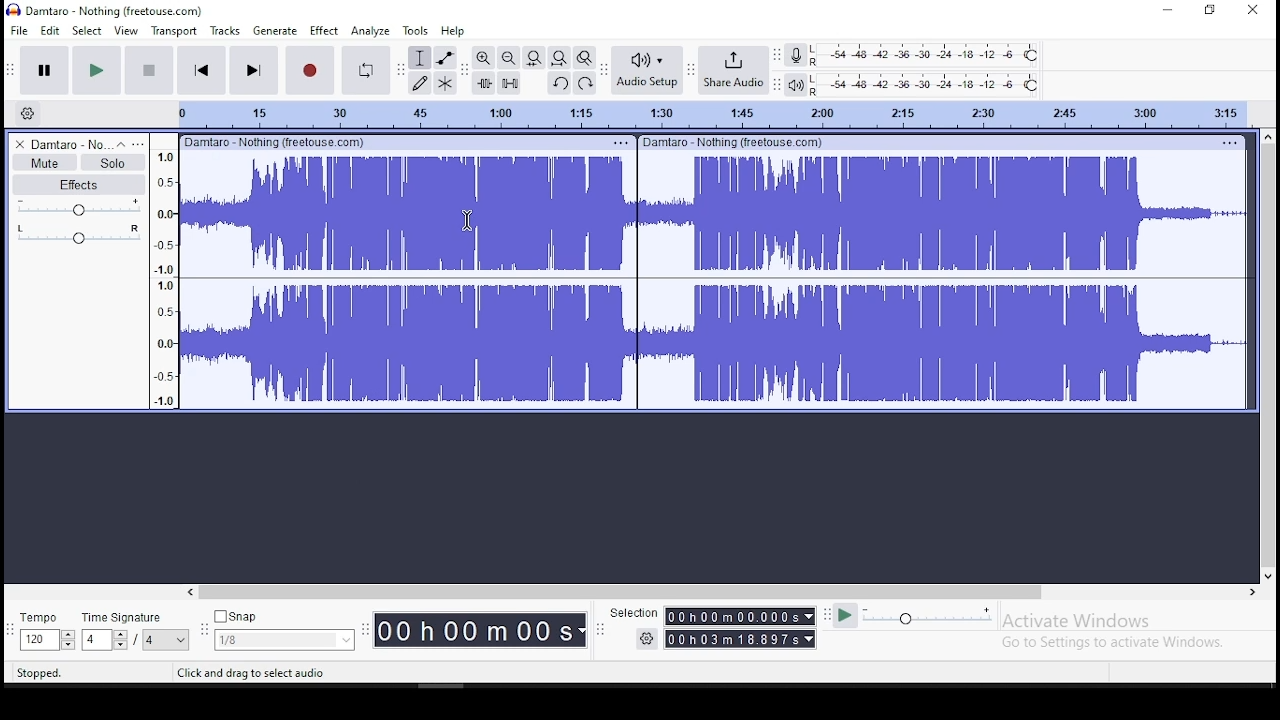  Describe the element at coordinates (107, 10) in the screenshot. I see `icon and file name` at that location.